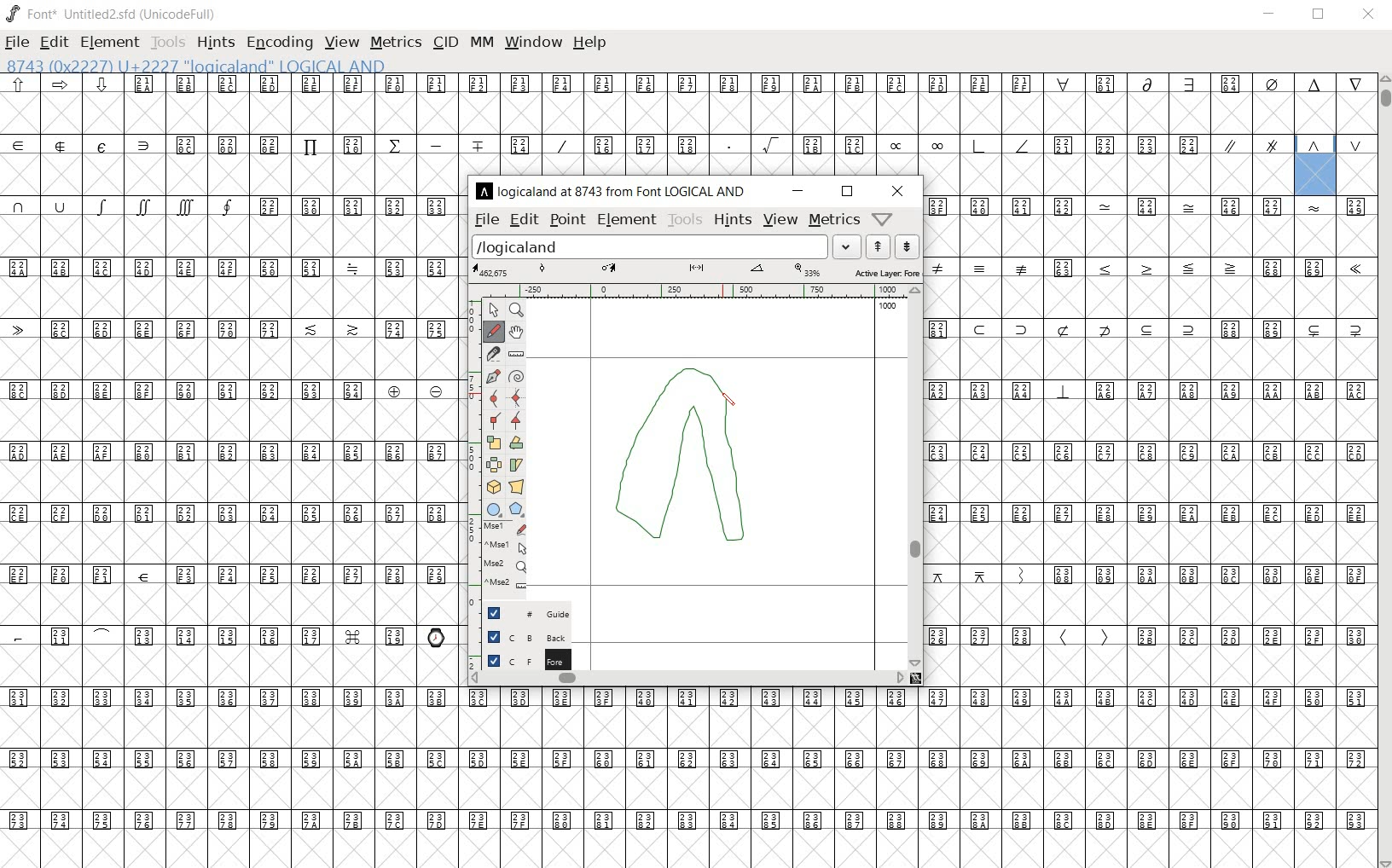  What do you see at coordinates (848, 192) in the screenshot?
I see `restore` at bounding box center [848, 192].